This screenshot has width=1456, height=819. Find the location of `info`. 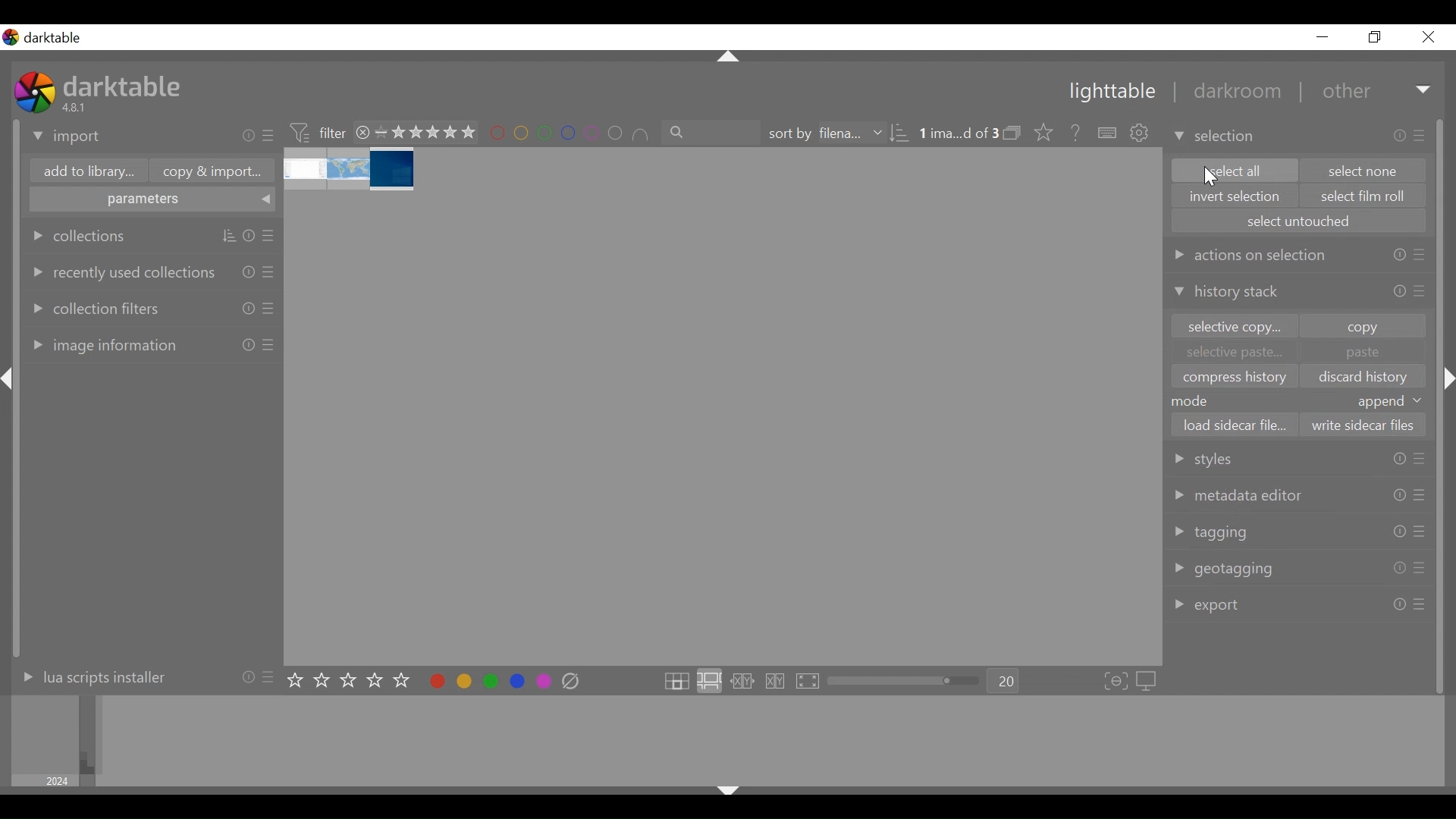

info is located at coordinates (1399, 532).